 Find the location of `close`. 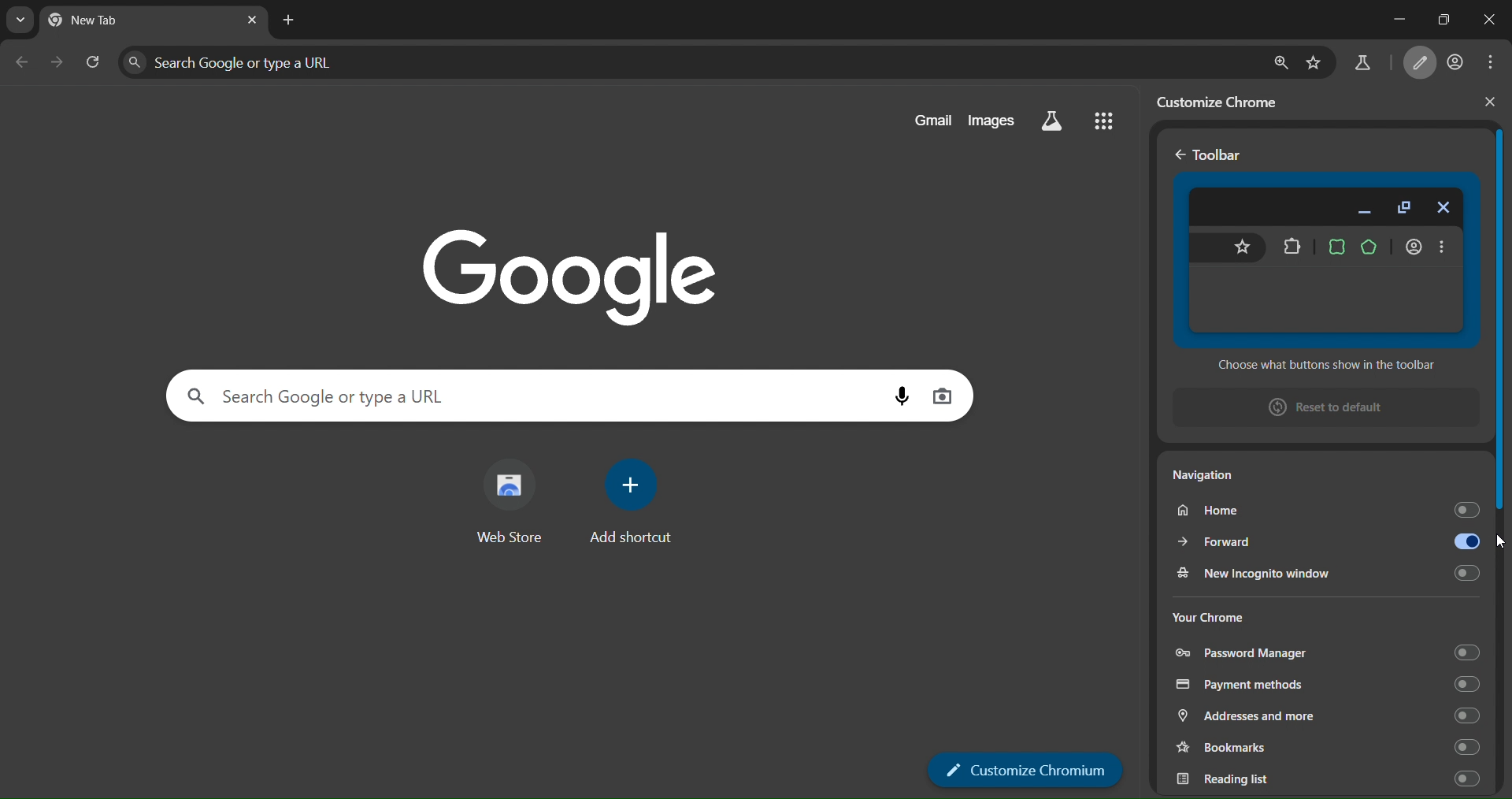

close is located at coordinates (1488, 106).